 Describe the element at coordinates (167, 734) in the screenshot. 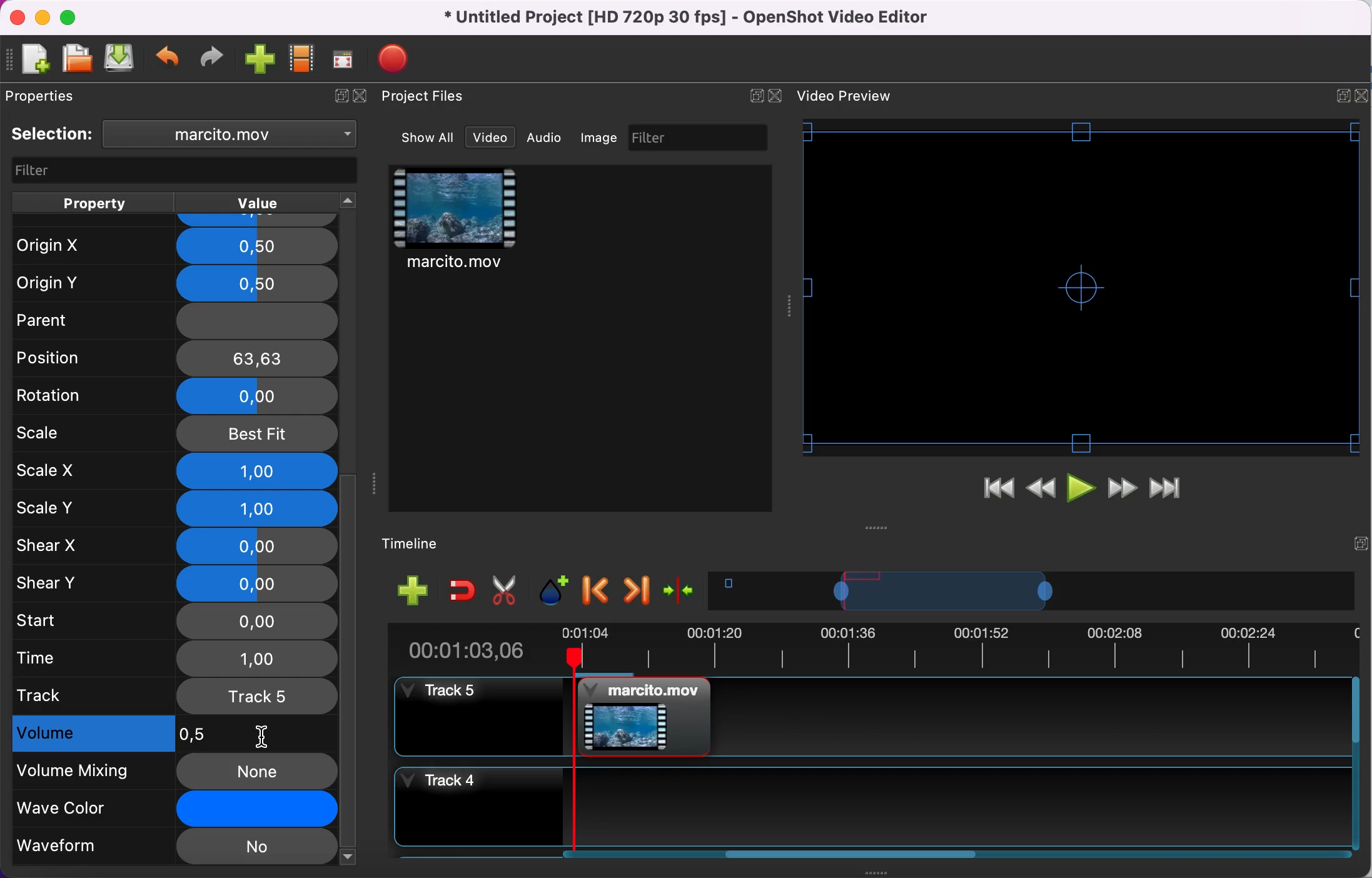

I see `volume selected` at that location.